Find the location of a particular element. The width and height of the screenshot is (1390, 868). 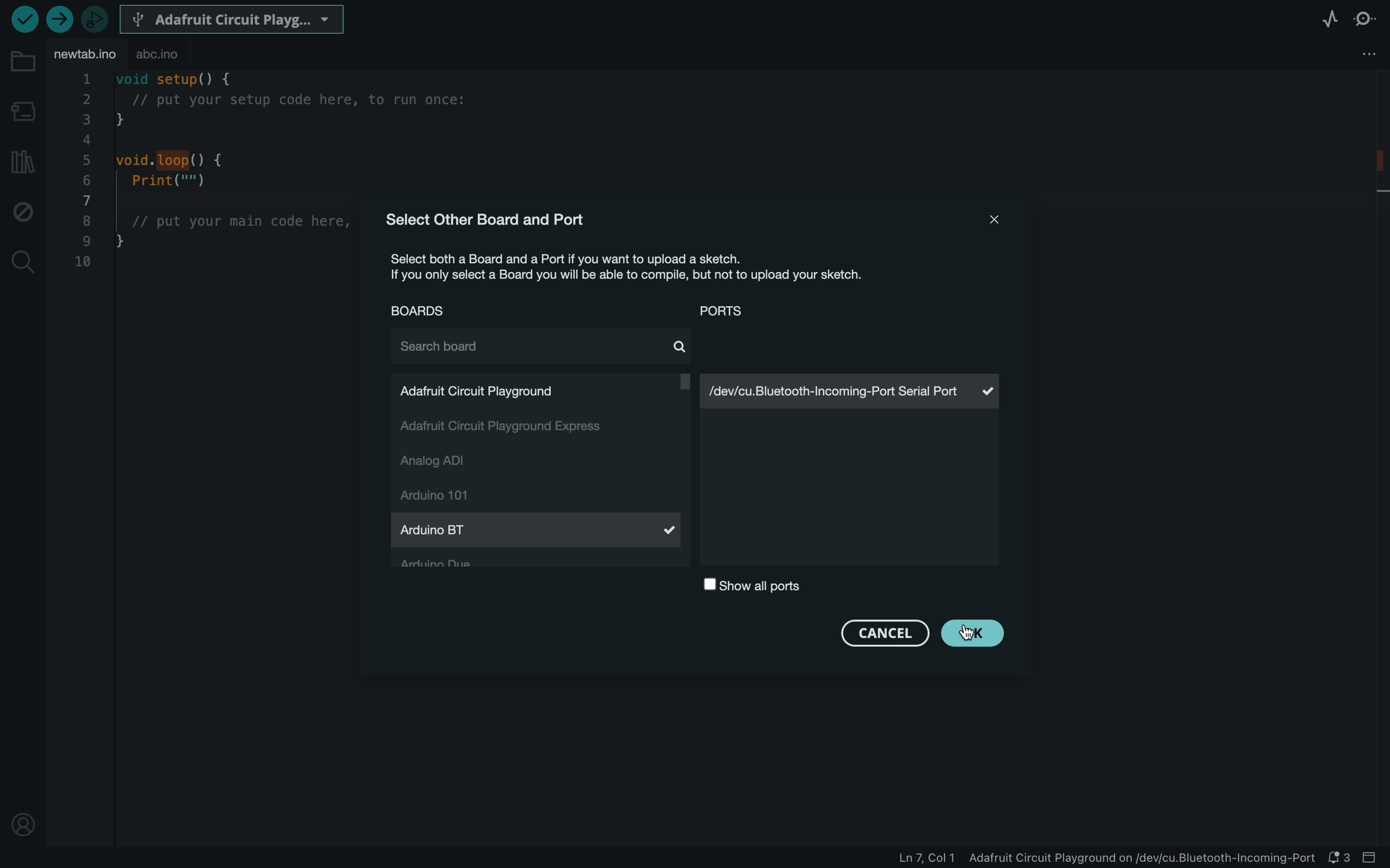

library manager is located at coordinates (23, 160).